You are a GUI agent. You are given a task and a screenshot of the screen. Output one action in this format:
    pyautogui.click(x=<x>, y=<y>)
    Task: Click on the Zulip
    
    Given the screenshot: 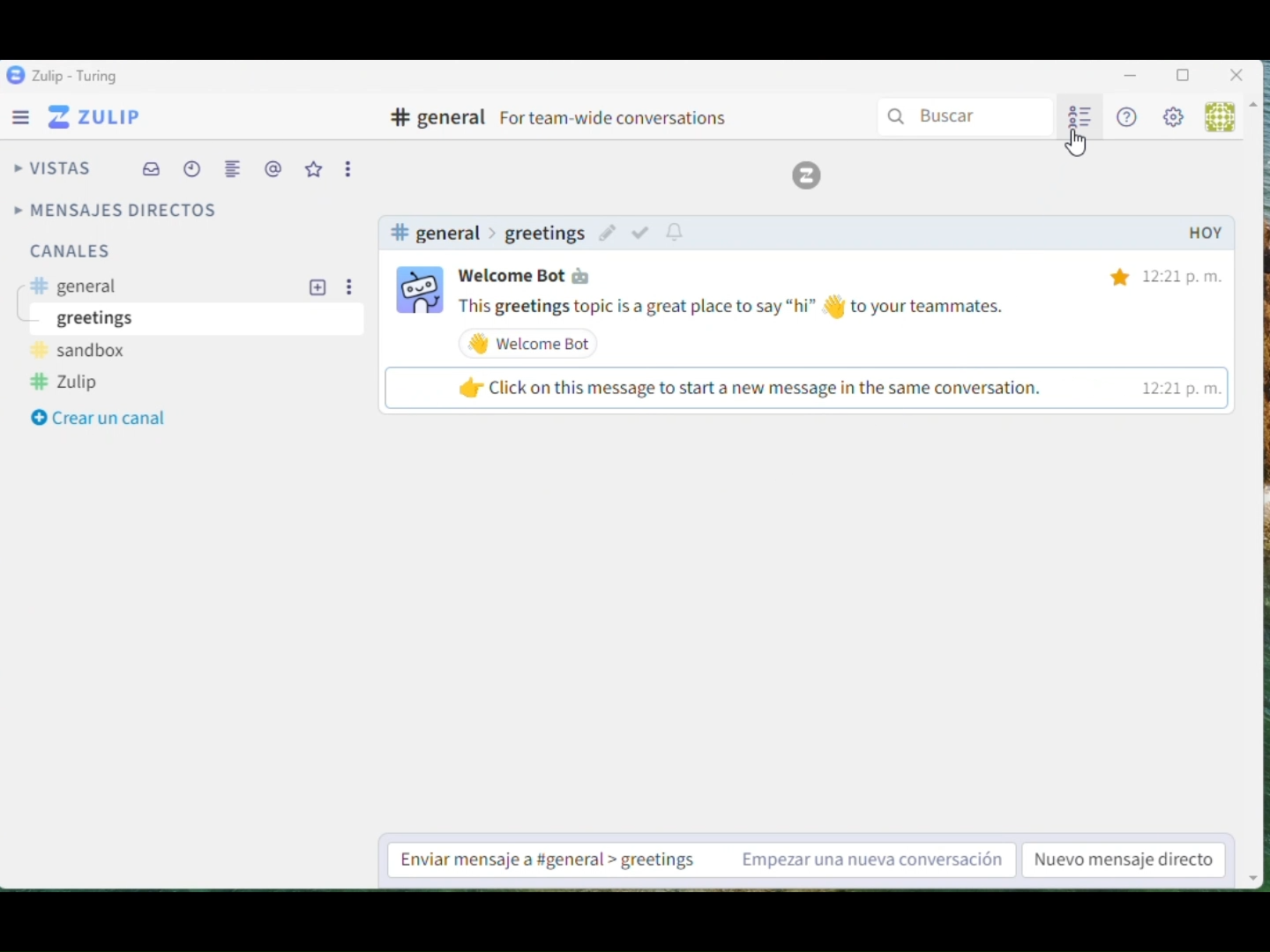 What is the action you would take?
    pyautogui.click(x=807, y=176)
    